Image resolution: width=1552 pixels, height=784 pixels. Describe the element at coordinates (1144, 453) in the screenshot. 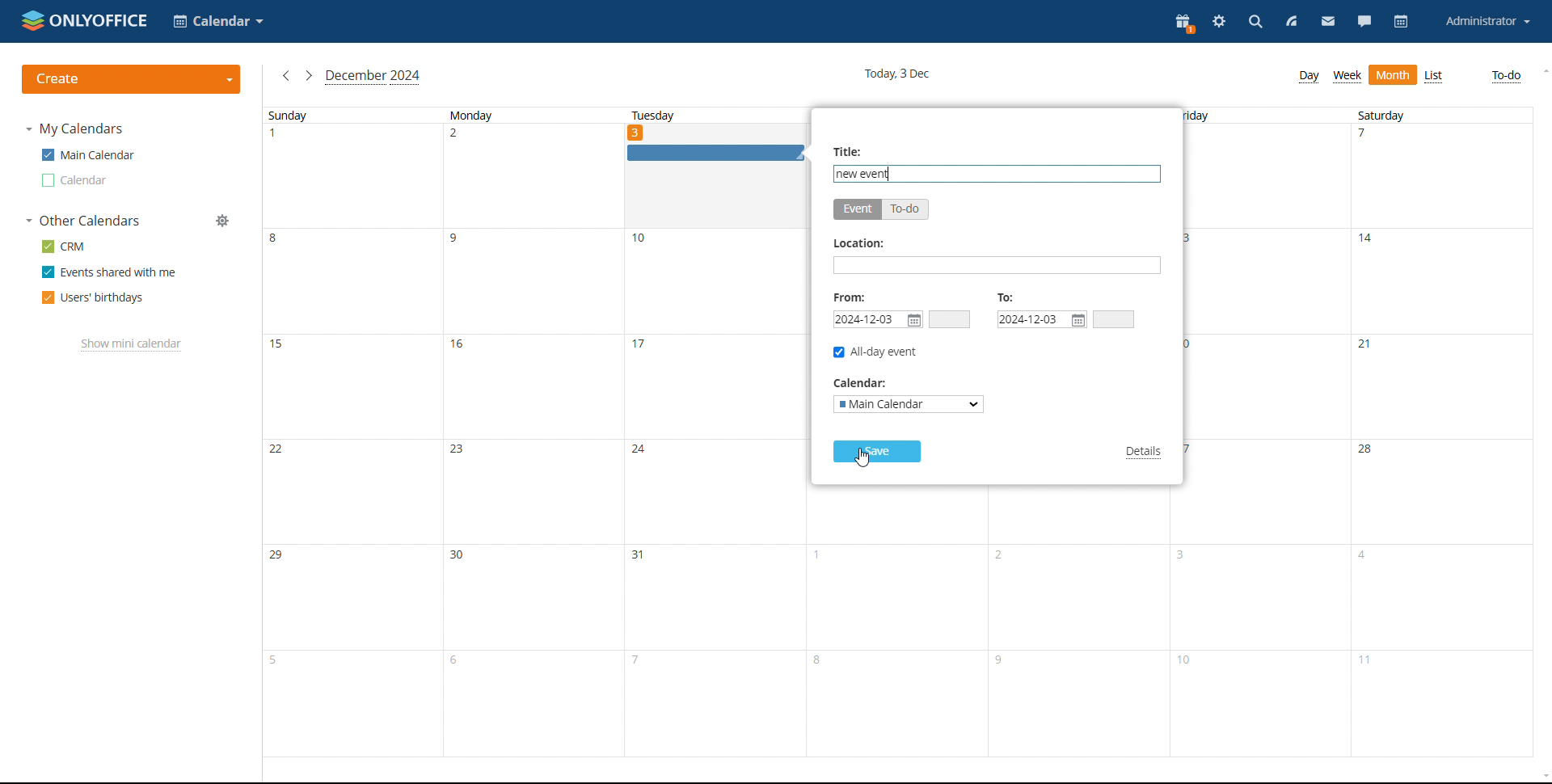

I see `details` at that location.